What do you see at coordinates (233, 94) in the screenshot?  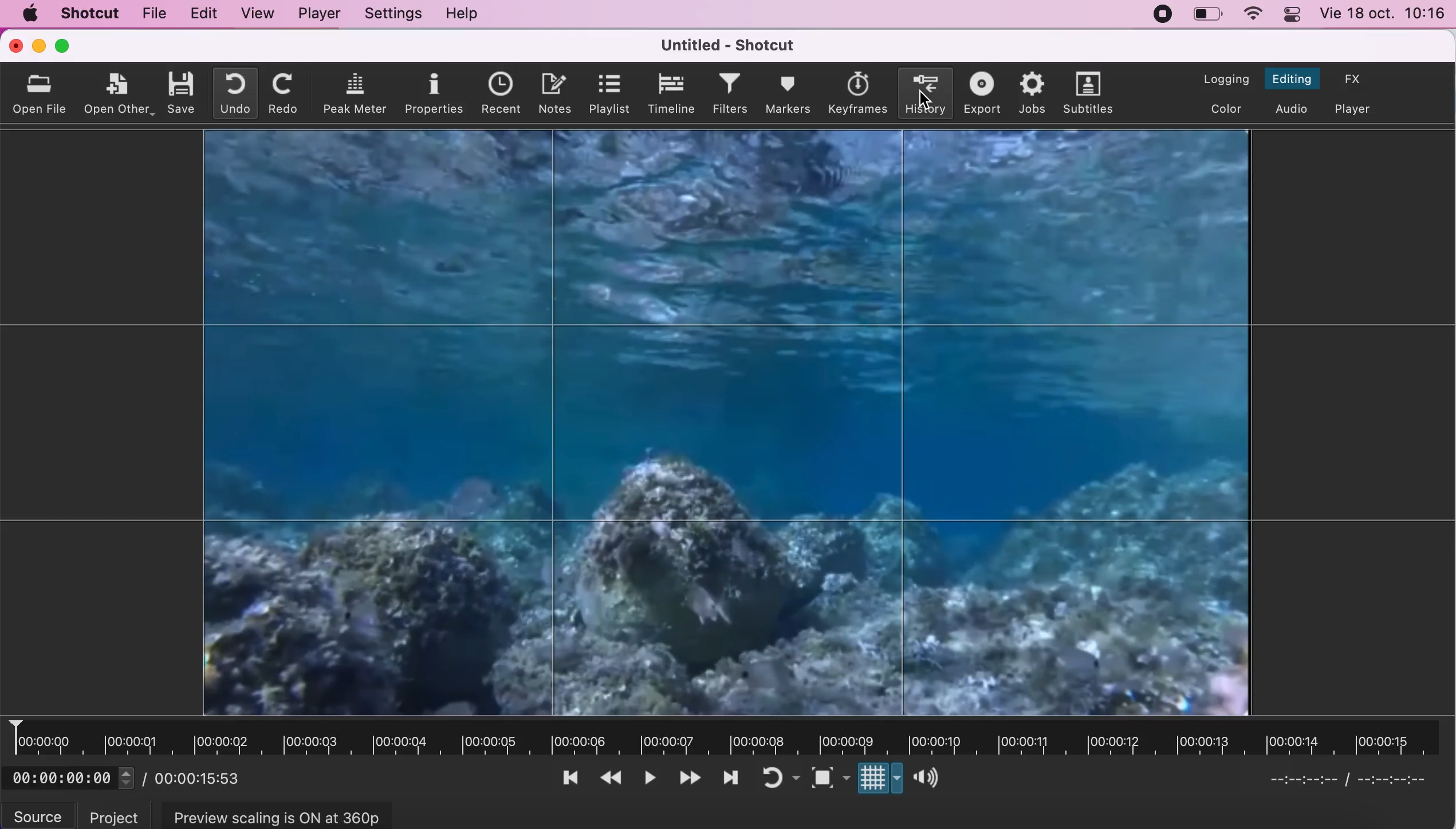 I see `undo` at bounding box center [233, 94].